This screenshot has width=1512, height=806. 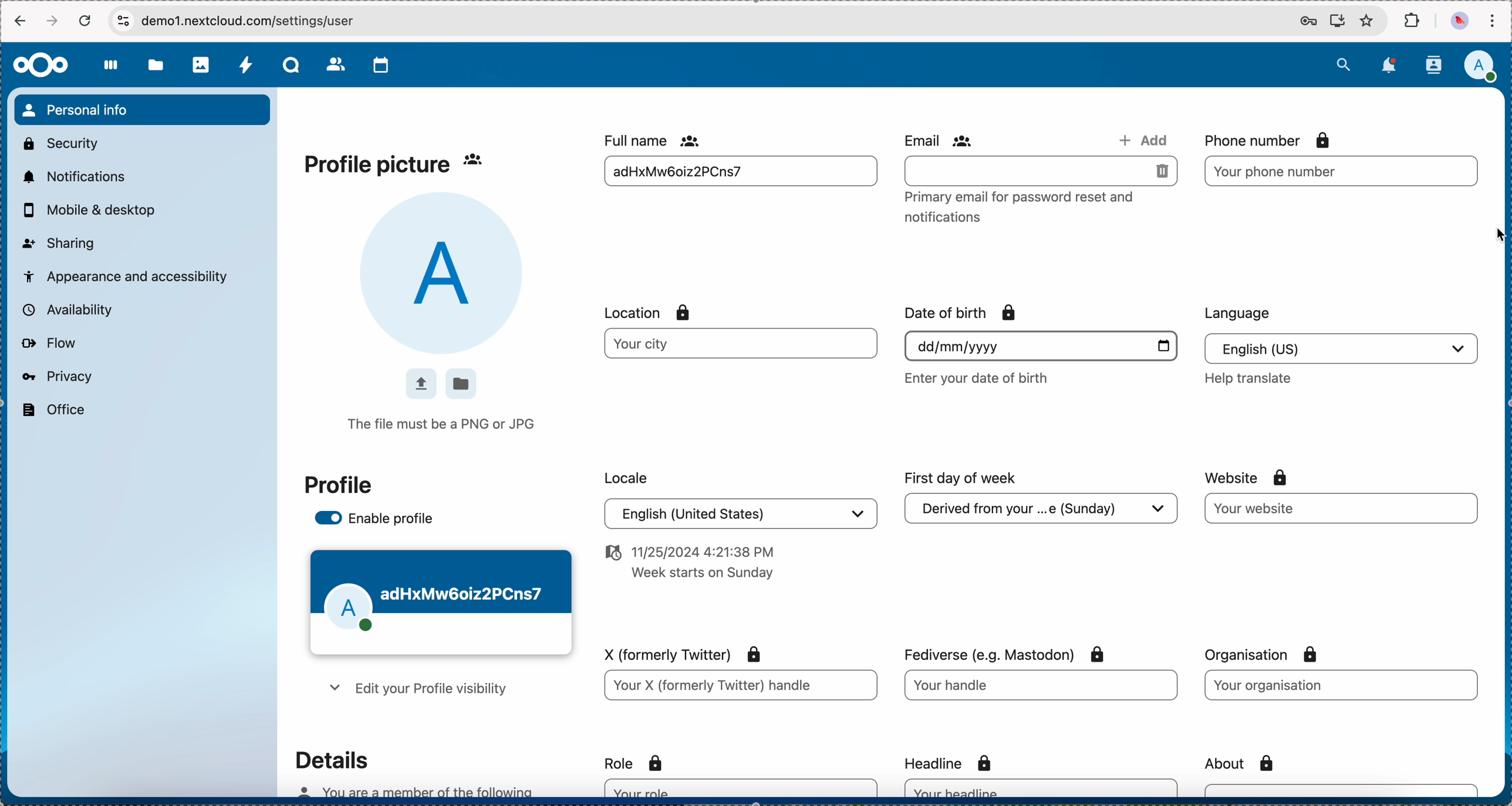 What do you see at coordinates (461, 384) in the screenshot?
I see `location` at bounding box center [461, 384].